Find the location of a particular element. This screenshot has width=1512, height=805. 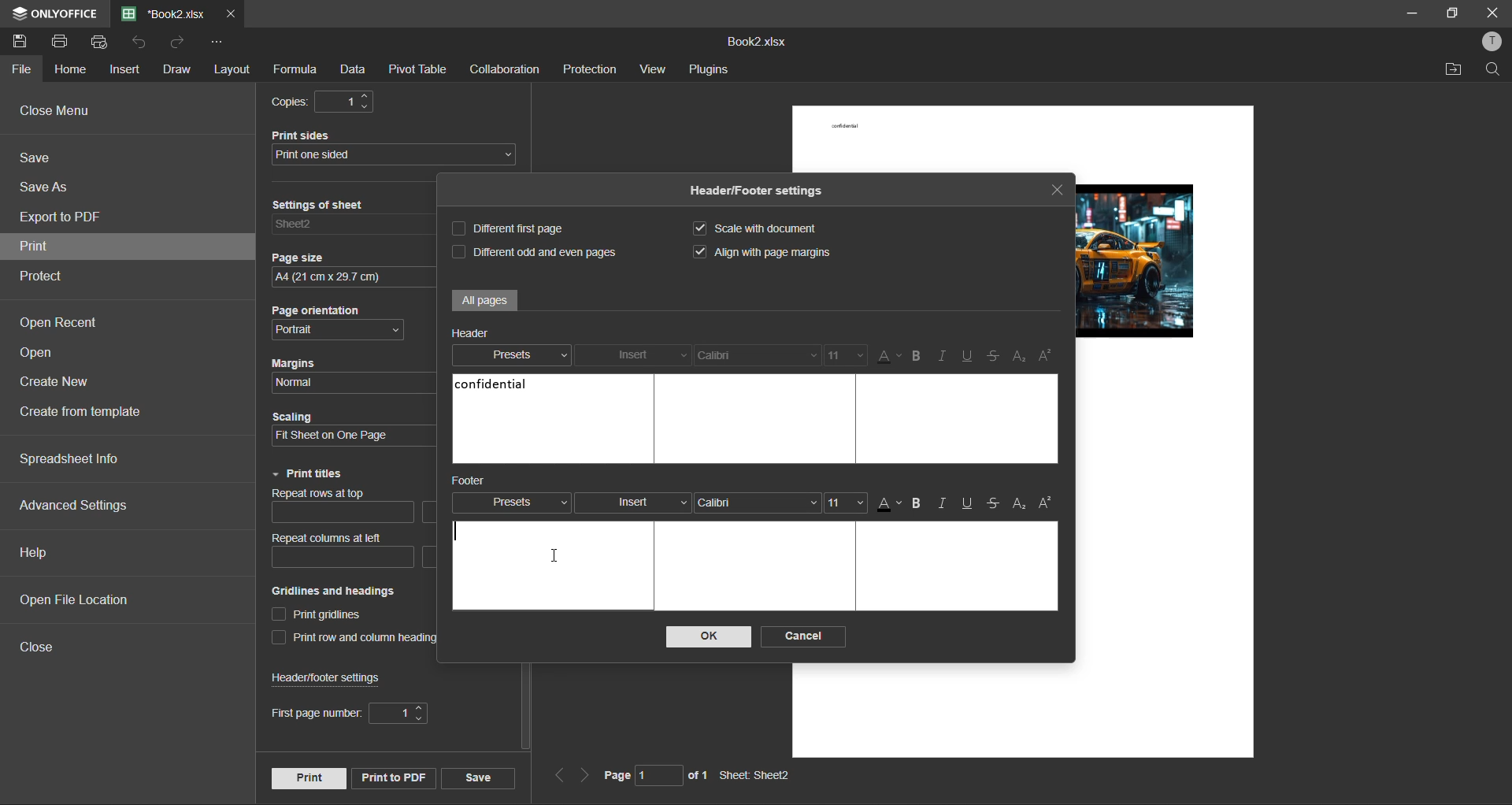

protection is located at coordinates (590, 69).